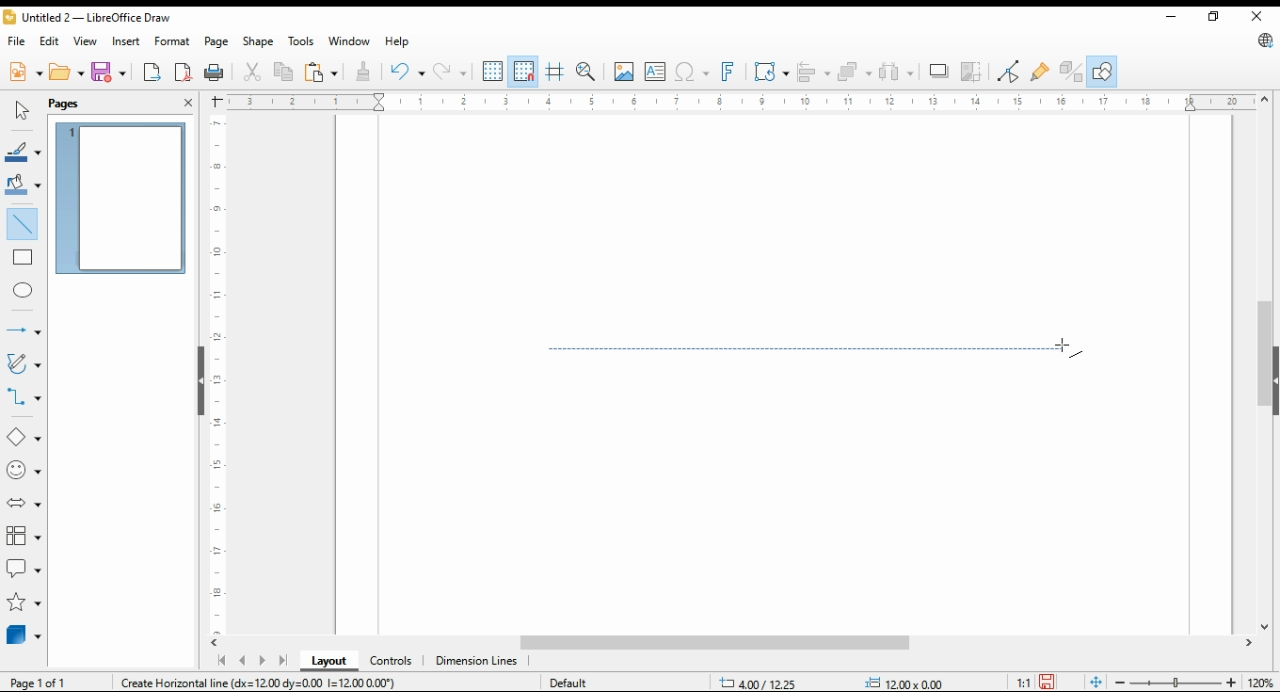 This screenshot has width=1280, height=692. What do you see at coordinates (259, 681) in the screenshot?
I see `Create Horizontal line (dx=1200 dy=000 1=12.00 0.00")` at bounding box center [259, 681].